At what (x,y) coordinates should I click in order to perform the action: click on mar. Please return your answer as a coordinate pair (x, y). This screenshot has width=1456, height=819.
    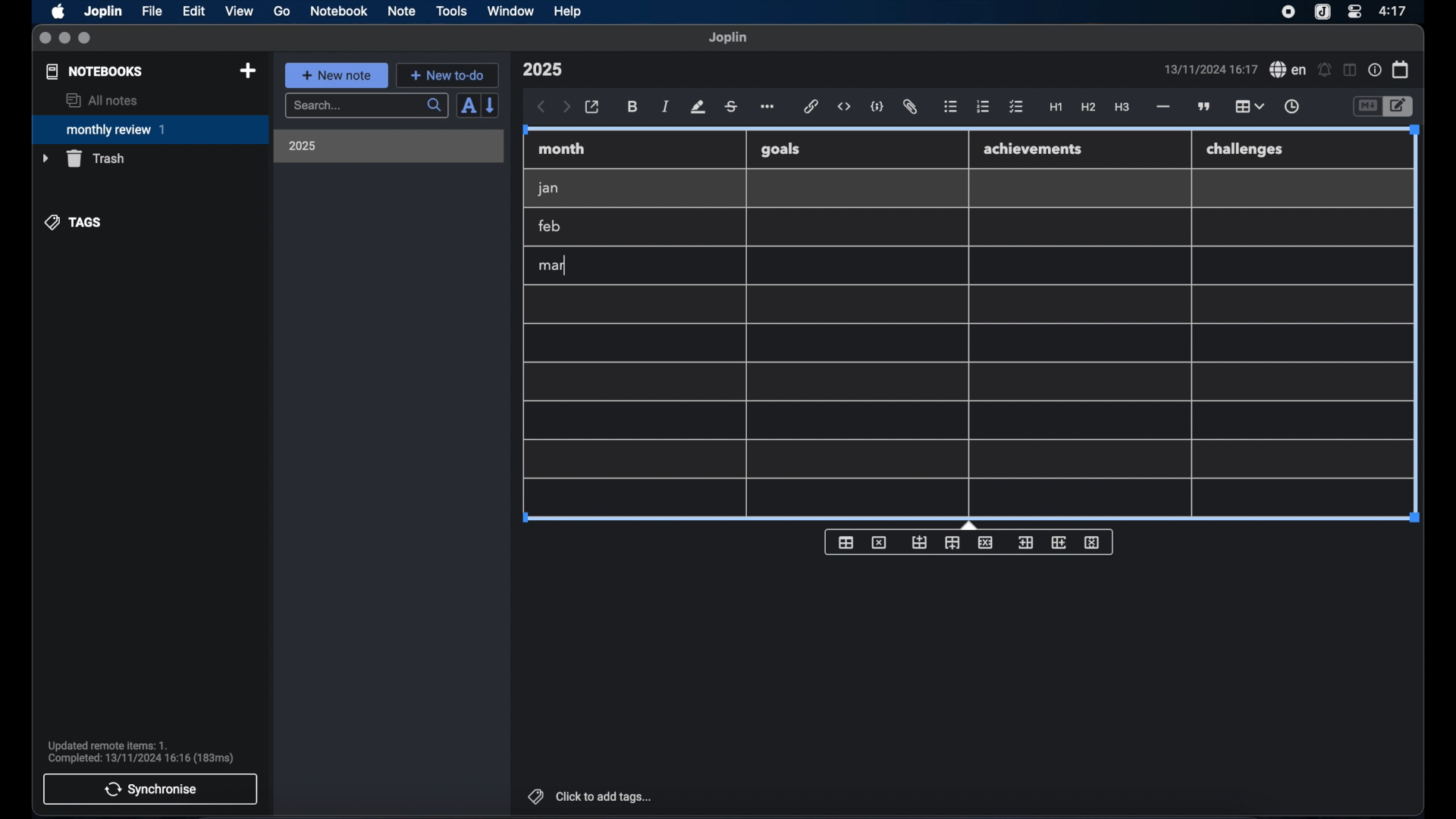
    Looking at the image, I should click on (553, 266).